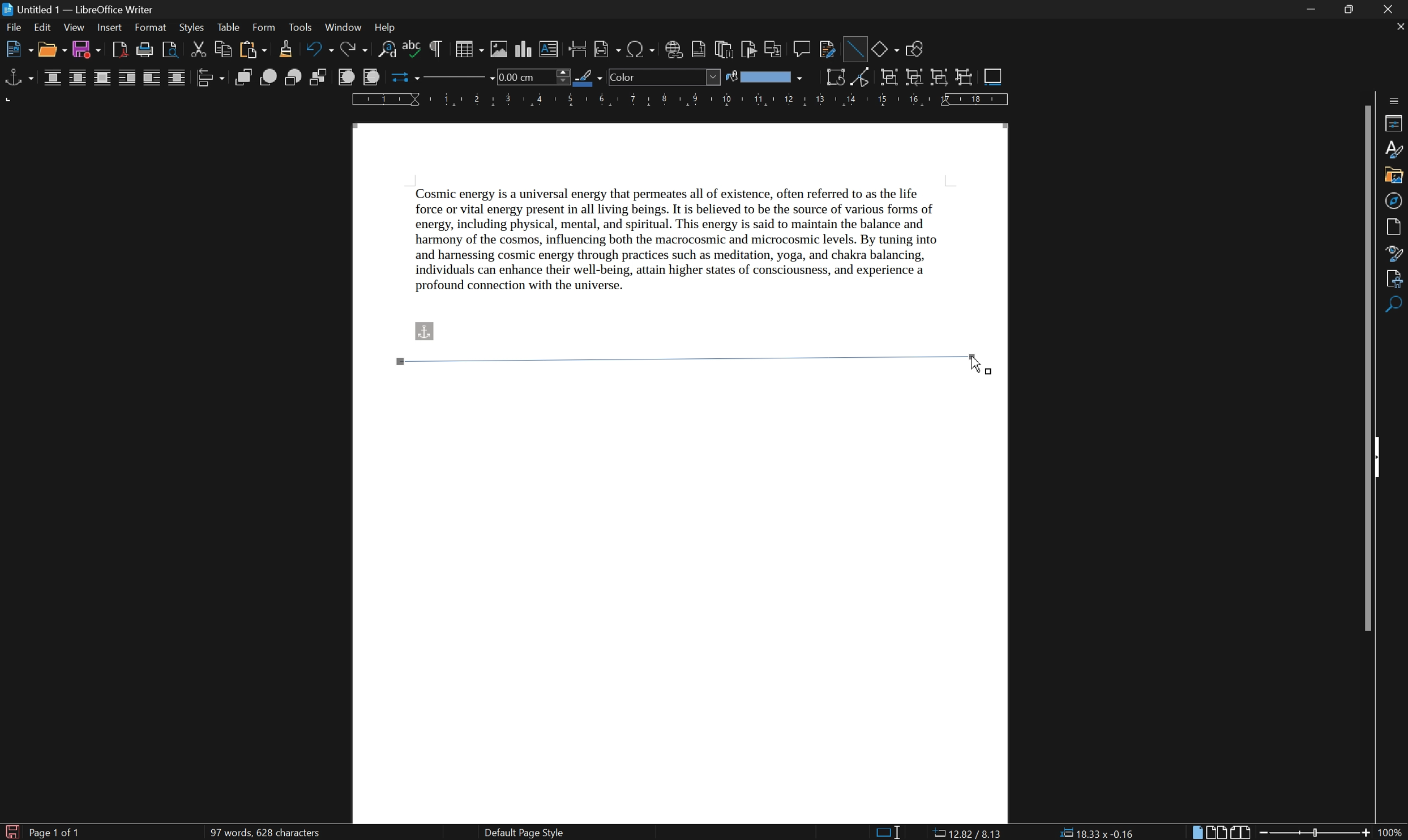 The width and height of the screenshot is (1408, 840). What do you see at coordinates (641, 49) in the screenshot?
I see `insert special characters` at bounding box center [641, 49].